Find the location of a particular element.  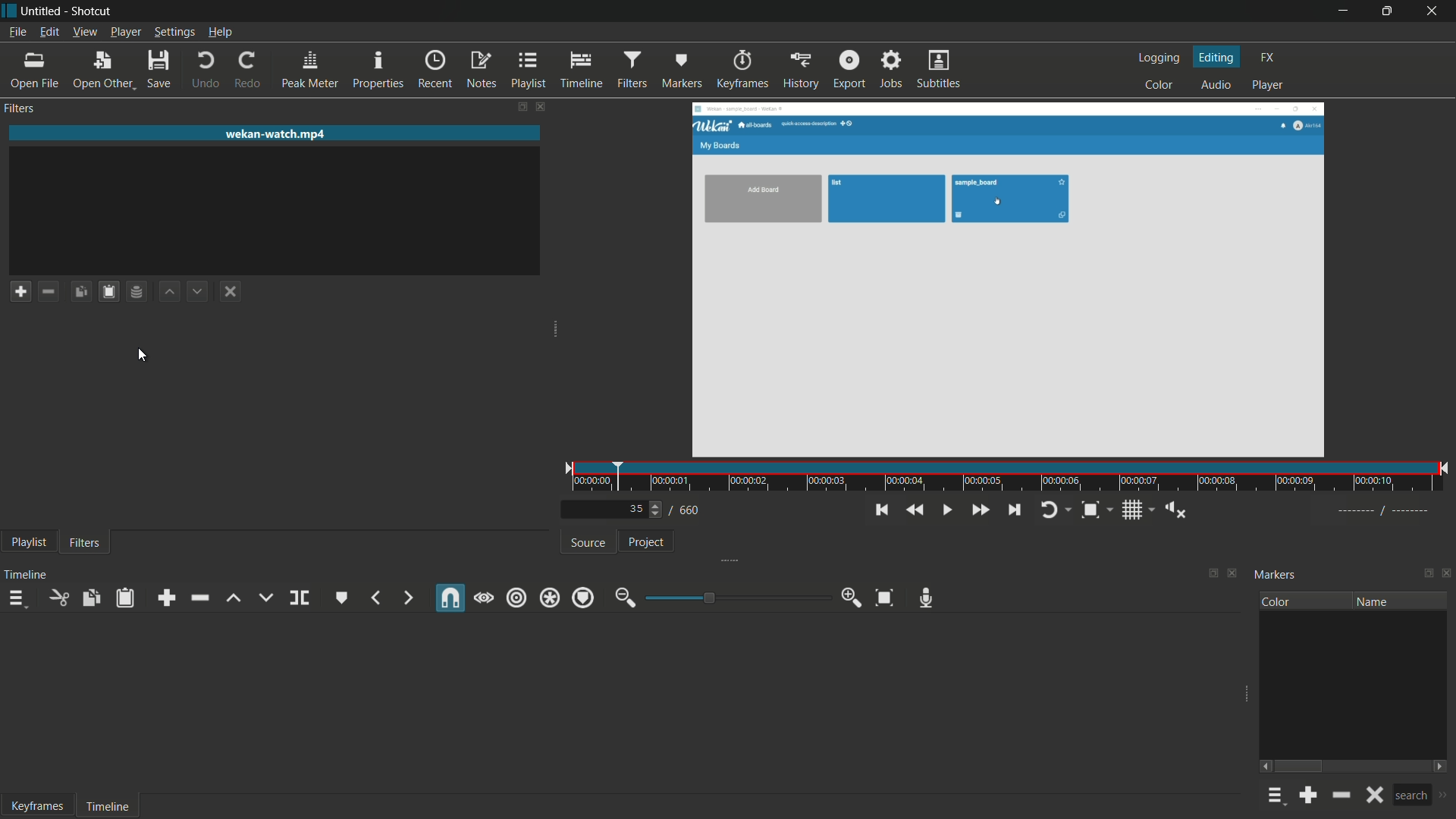

cursor is located at coordinates (143, 354).